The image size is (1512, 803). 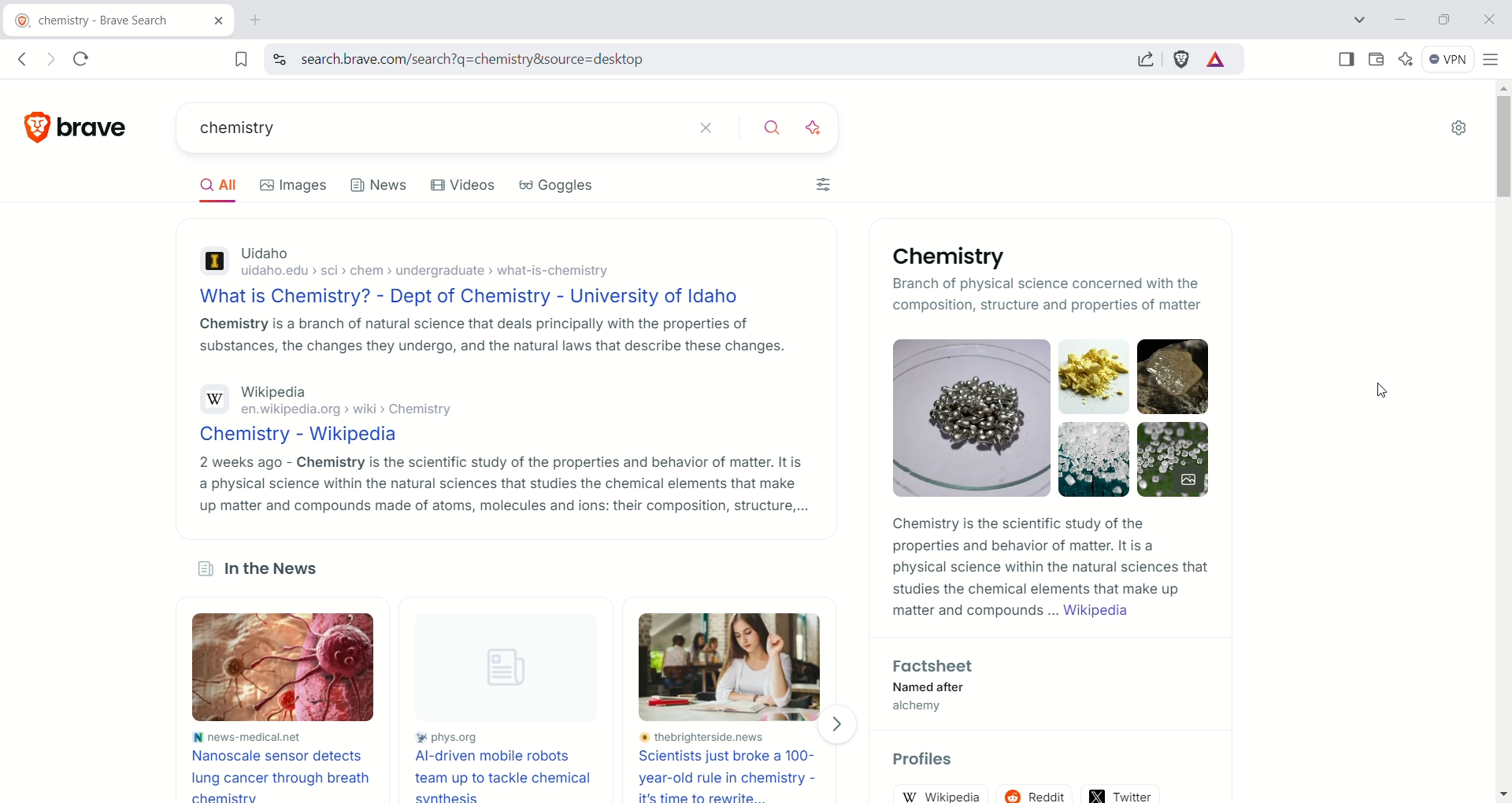 What do you see at coordinates (224, 187) in the screenshot?
I see `All` at bounding box center [224, 187].